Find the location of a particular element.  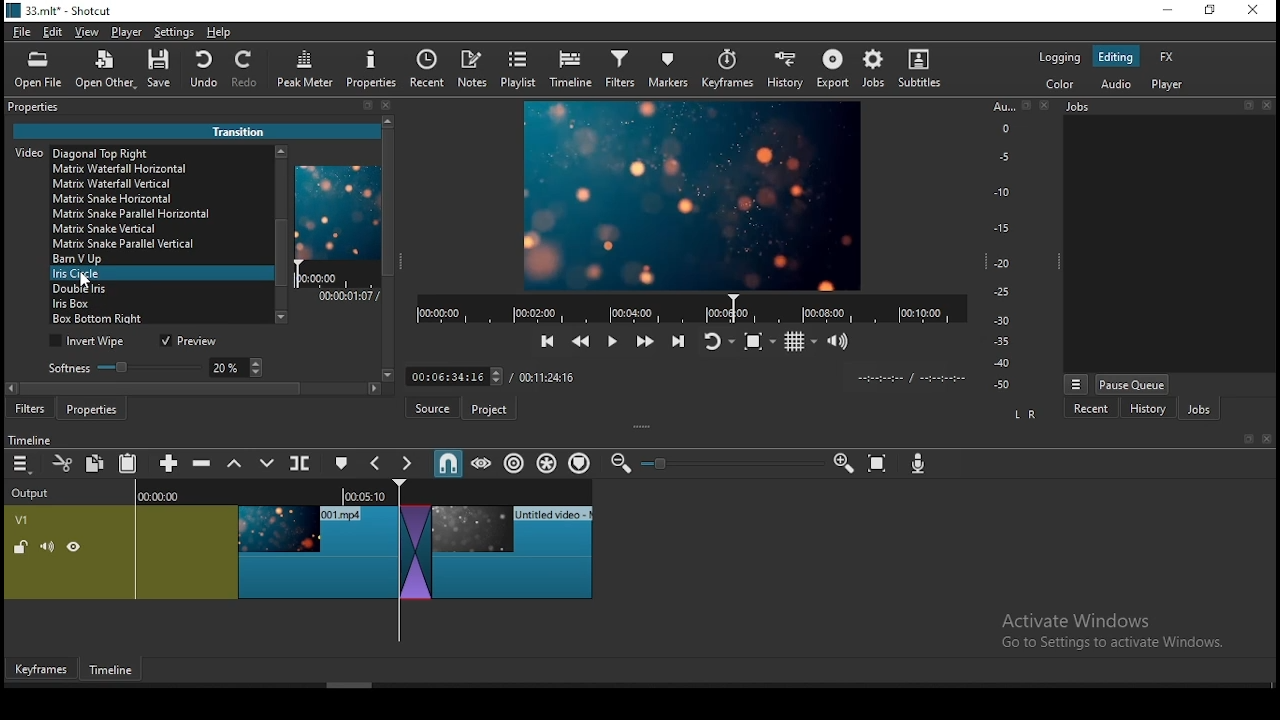

timer is located at coordinates (686, 308).